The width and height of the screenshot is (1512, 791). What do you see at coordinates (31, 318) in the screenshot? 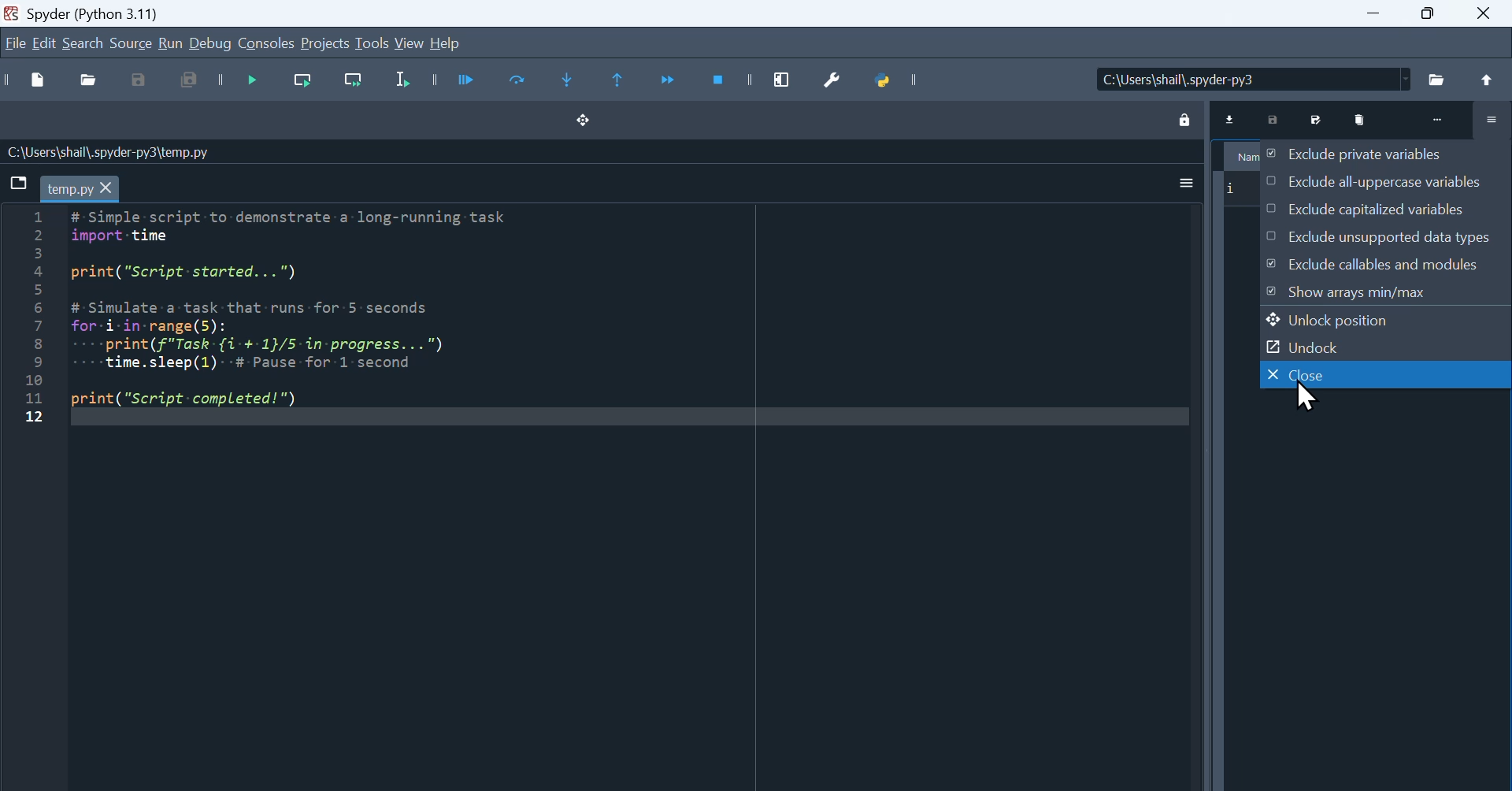
I see `line number` at bounding box center [31, 318].